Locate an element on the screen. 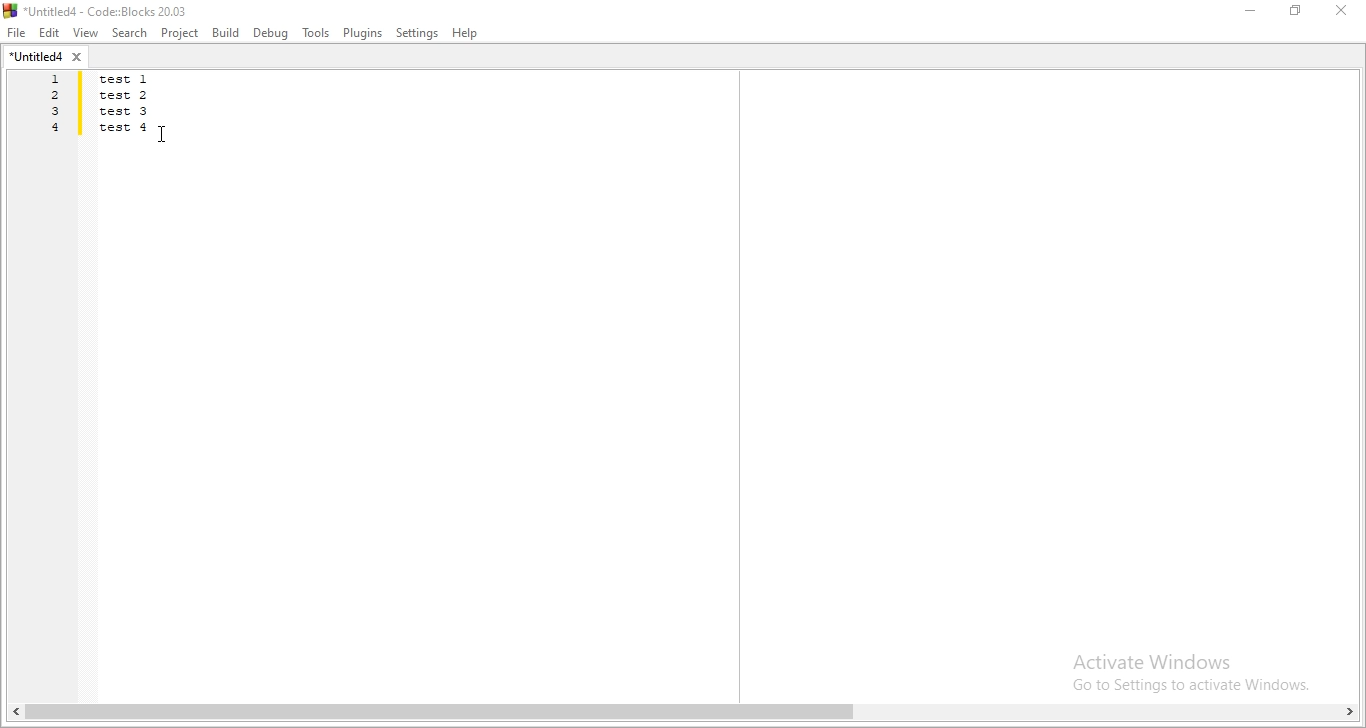  untitled4 is located at coordinates (48, 59).